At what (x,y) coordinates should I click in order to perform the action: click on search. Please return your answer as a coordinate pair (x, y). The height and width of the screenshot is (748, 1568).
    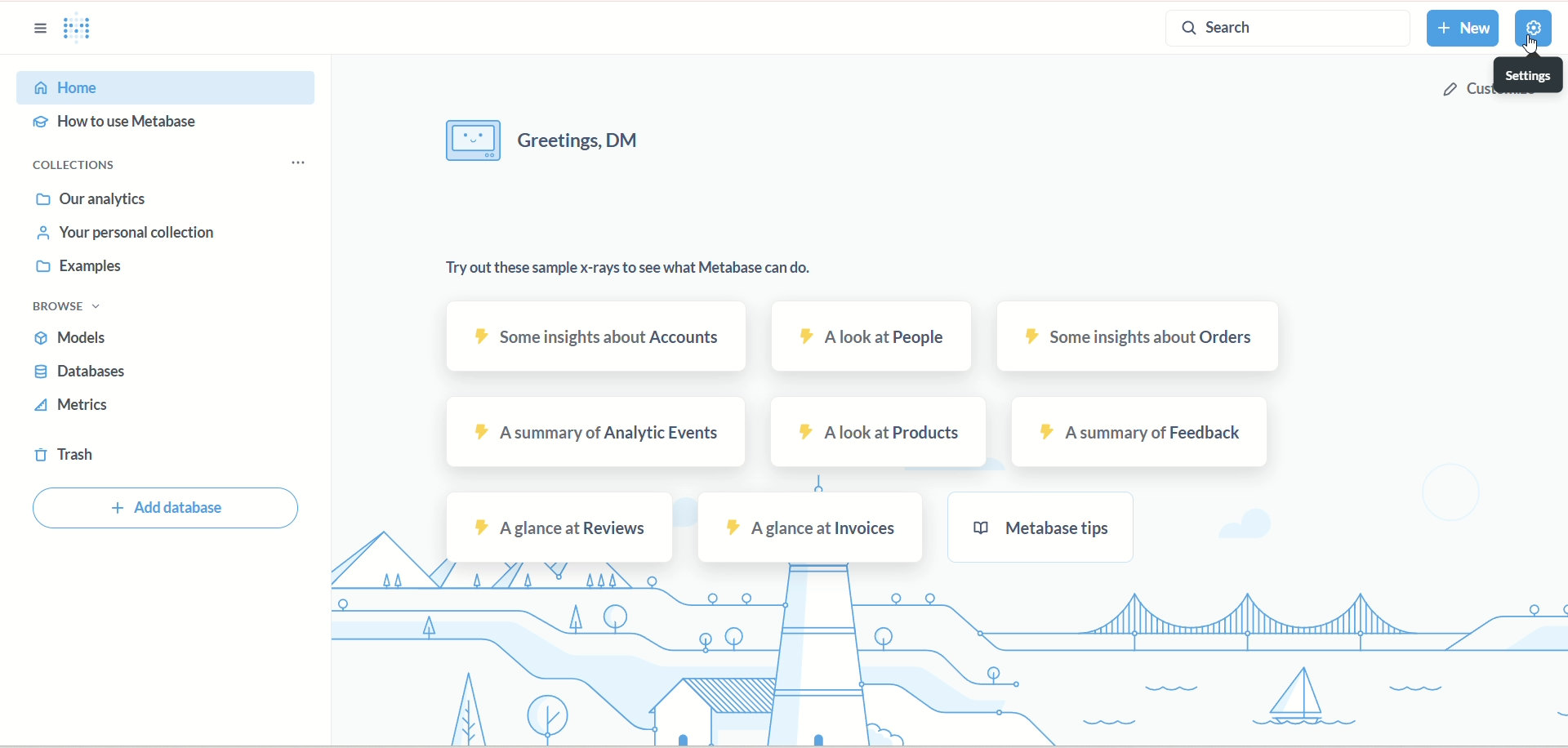
    Looking at the image, I should click on (1288, 29).